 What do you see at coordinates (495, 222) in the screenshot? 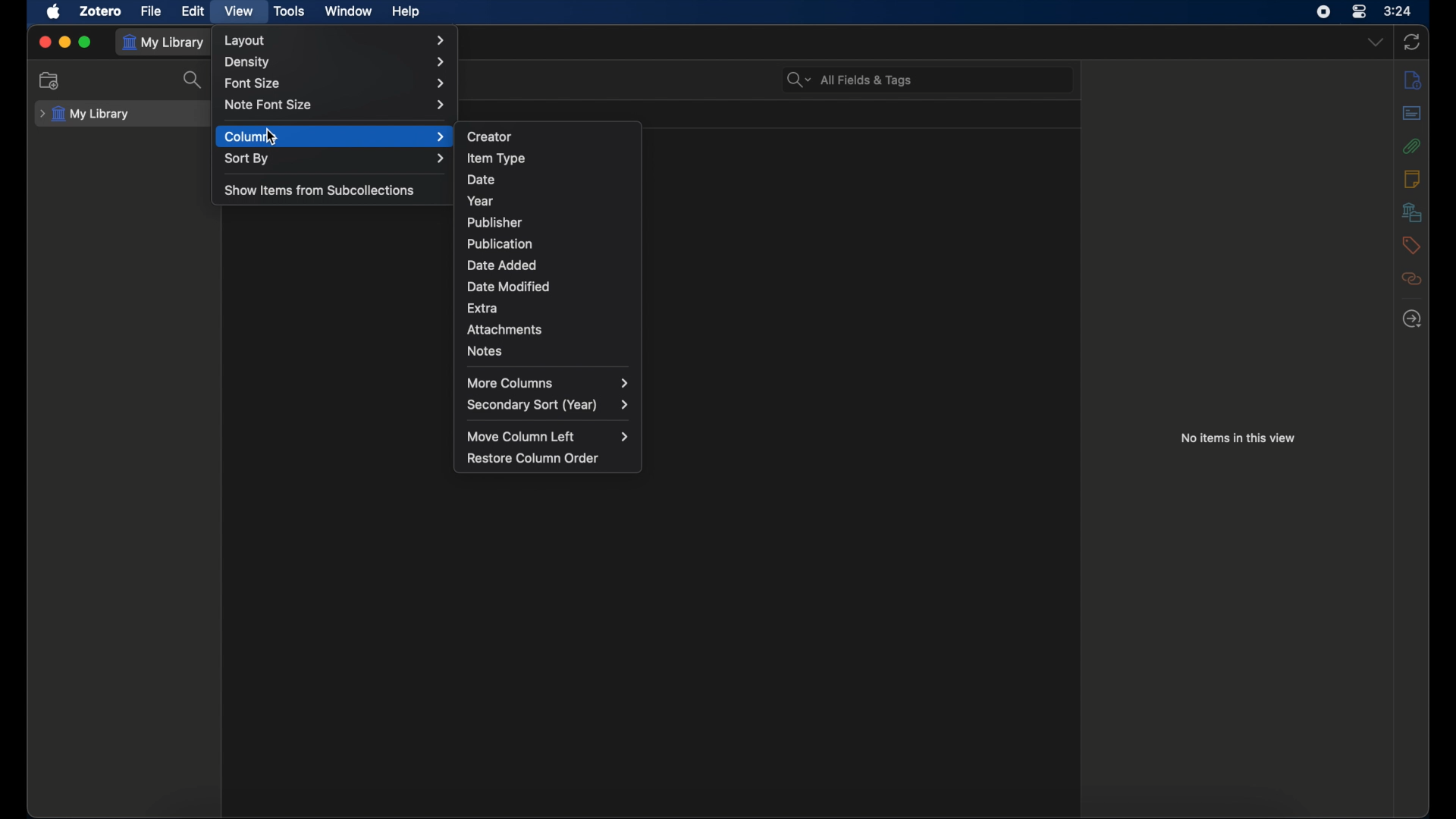
I see `publisher` at bounding box center [495, 222].